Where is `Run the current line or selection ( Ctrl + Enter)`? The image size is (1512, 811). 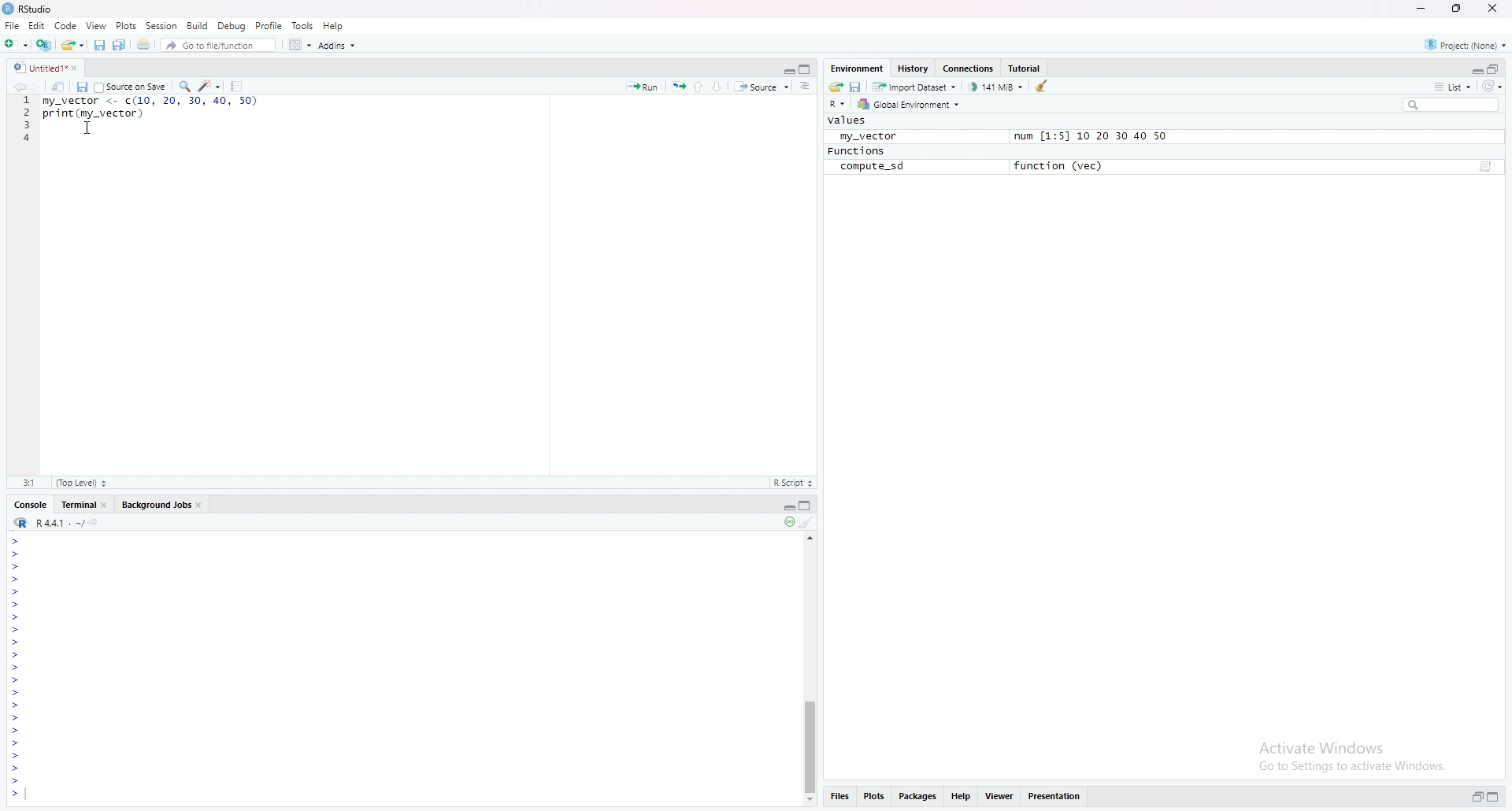 Run the current line or selection ( Ctrl + Enter) is located at coordinates (642, 86).